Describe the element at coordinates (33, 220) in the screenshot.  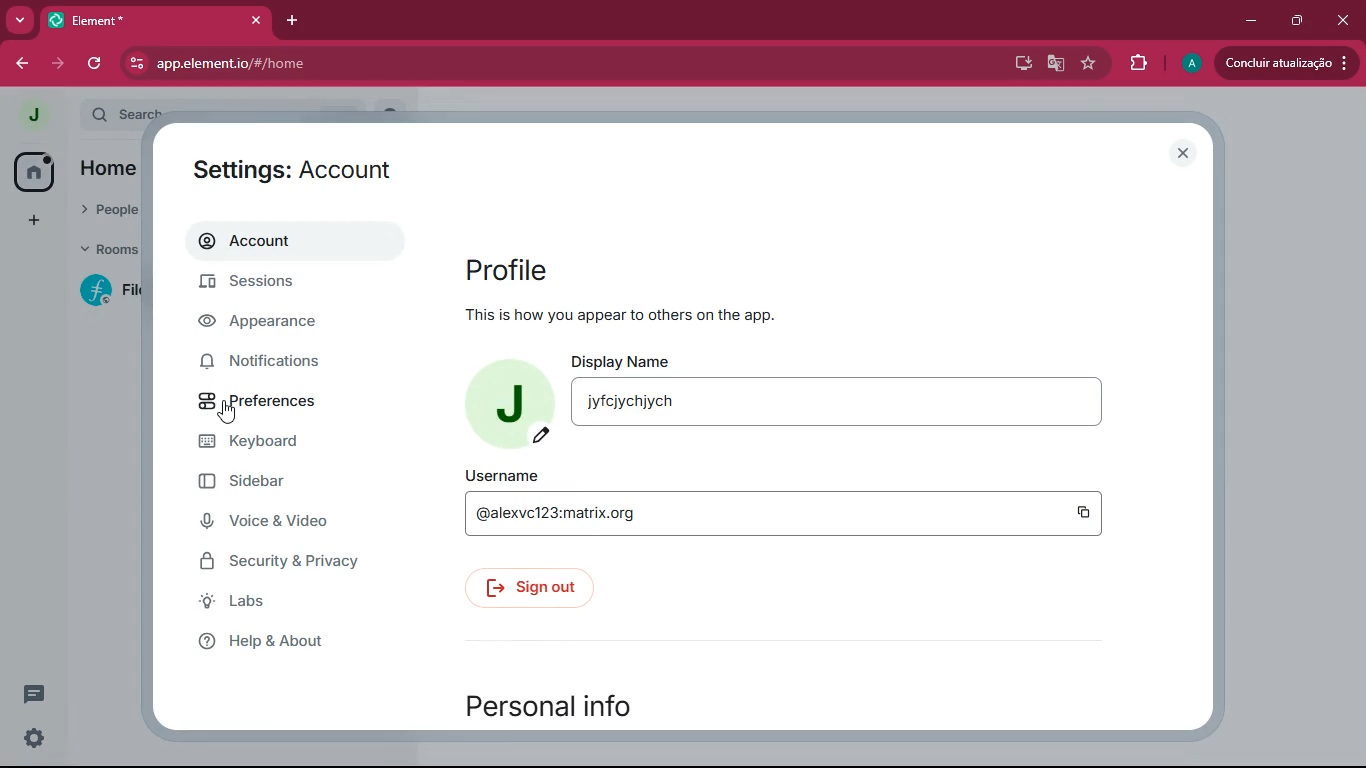
I see `add` at that location.